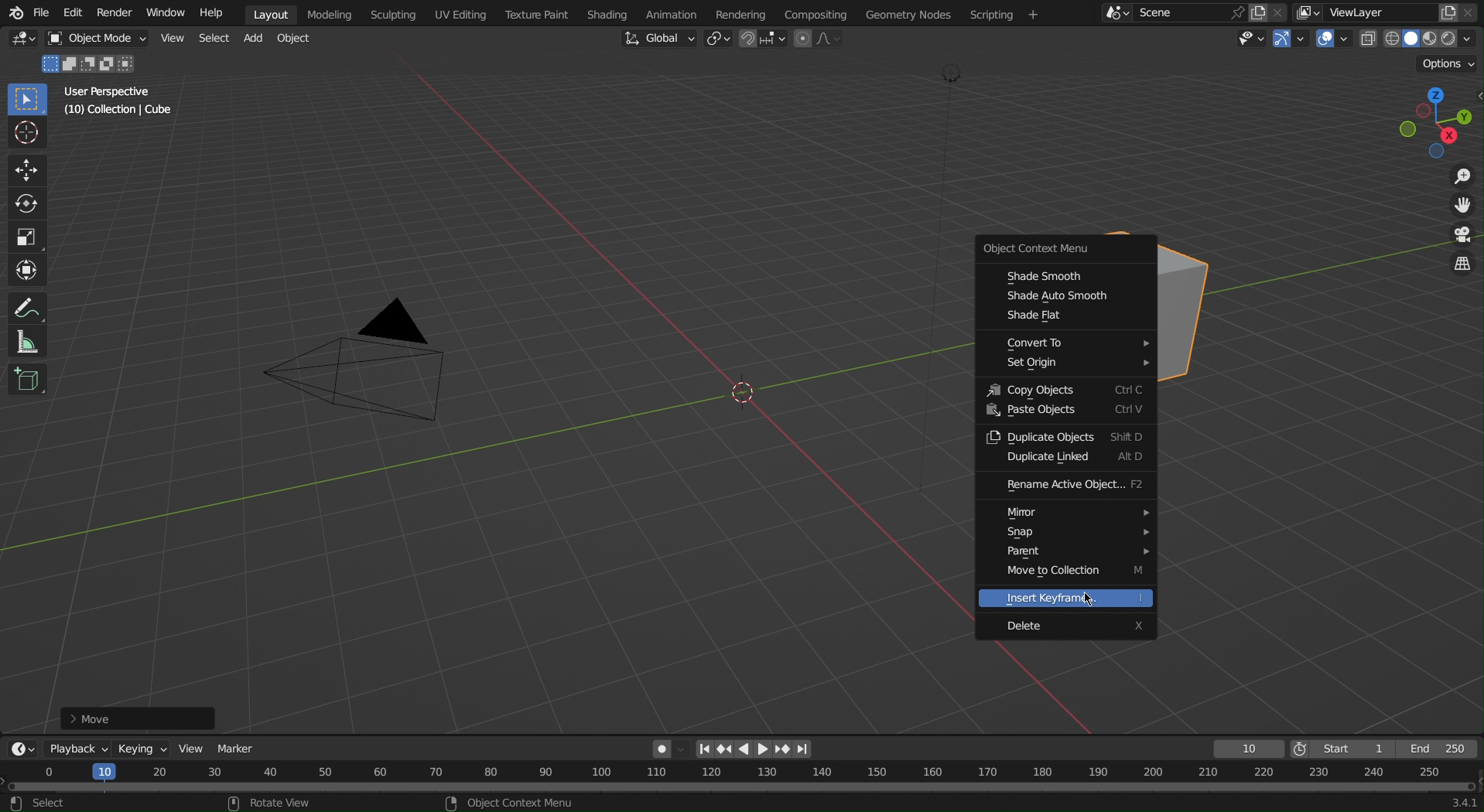  I want to click on Global, so click(658, 39).